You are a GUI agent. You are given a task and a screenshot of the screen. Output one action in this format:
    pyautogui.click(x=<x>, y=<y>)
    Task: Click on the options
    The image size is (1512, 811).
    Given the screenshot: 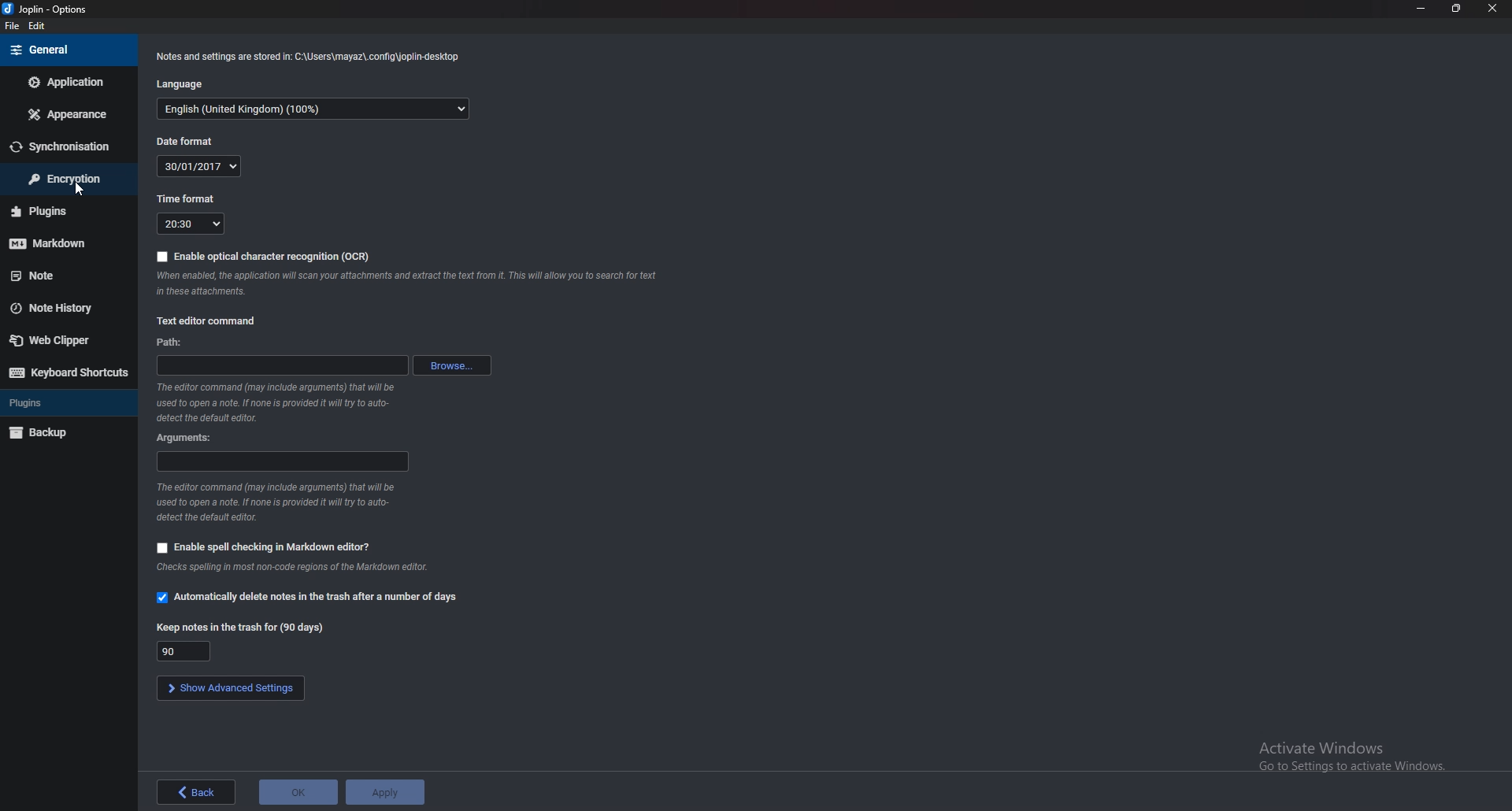 What is the action you would take?
    pyautogui.click(x=51, y=8)
    